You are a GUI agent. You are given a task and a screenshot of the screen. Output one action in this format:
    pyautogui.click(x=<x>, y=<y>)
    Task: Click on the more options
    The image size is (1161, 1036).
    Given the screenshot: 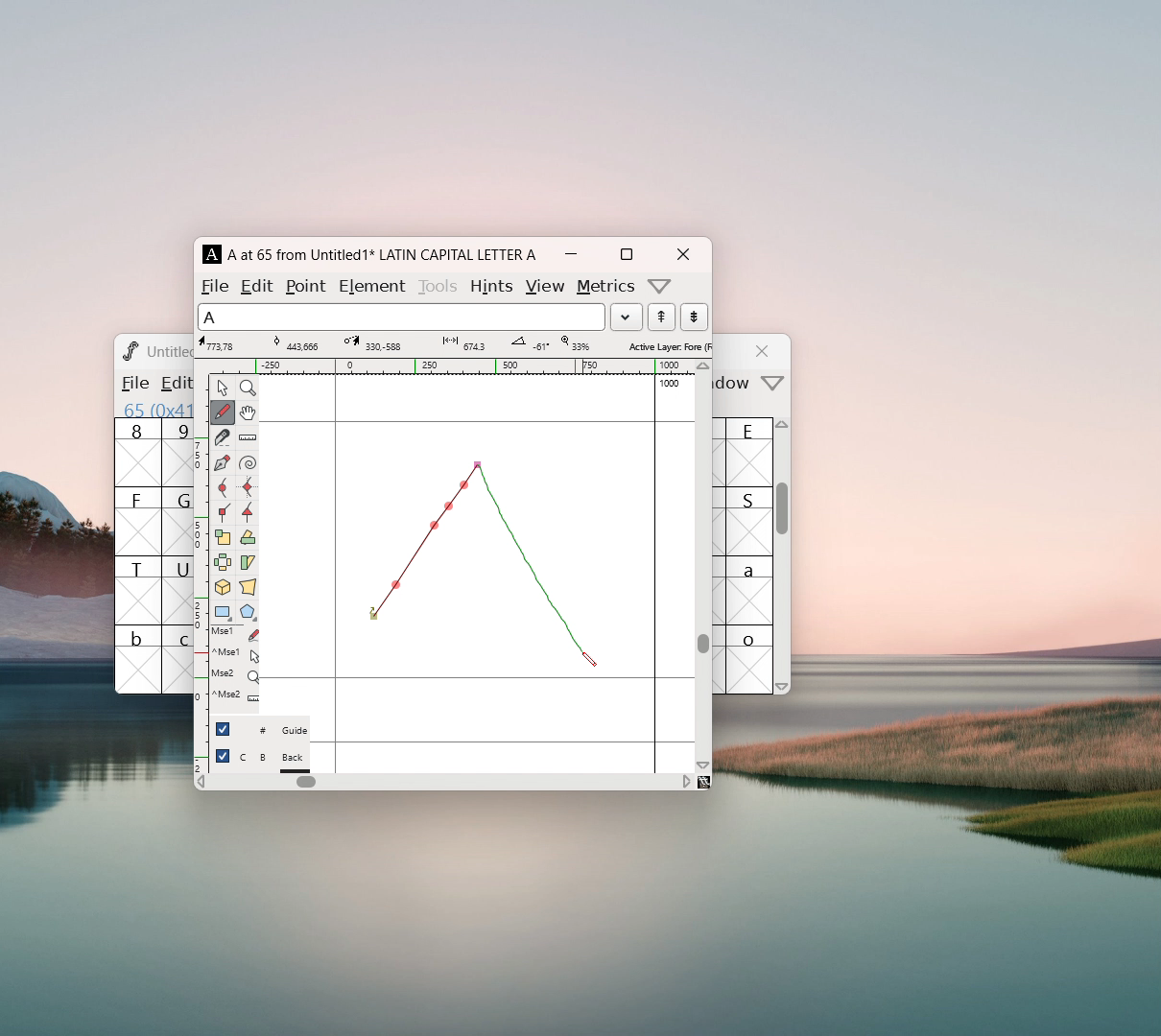 What is the action you would take?
    pyautogui.click(x=773, y=385)
    